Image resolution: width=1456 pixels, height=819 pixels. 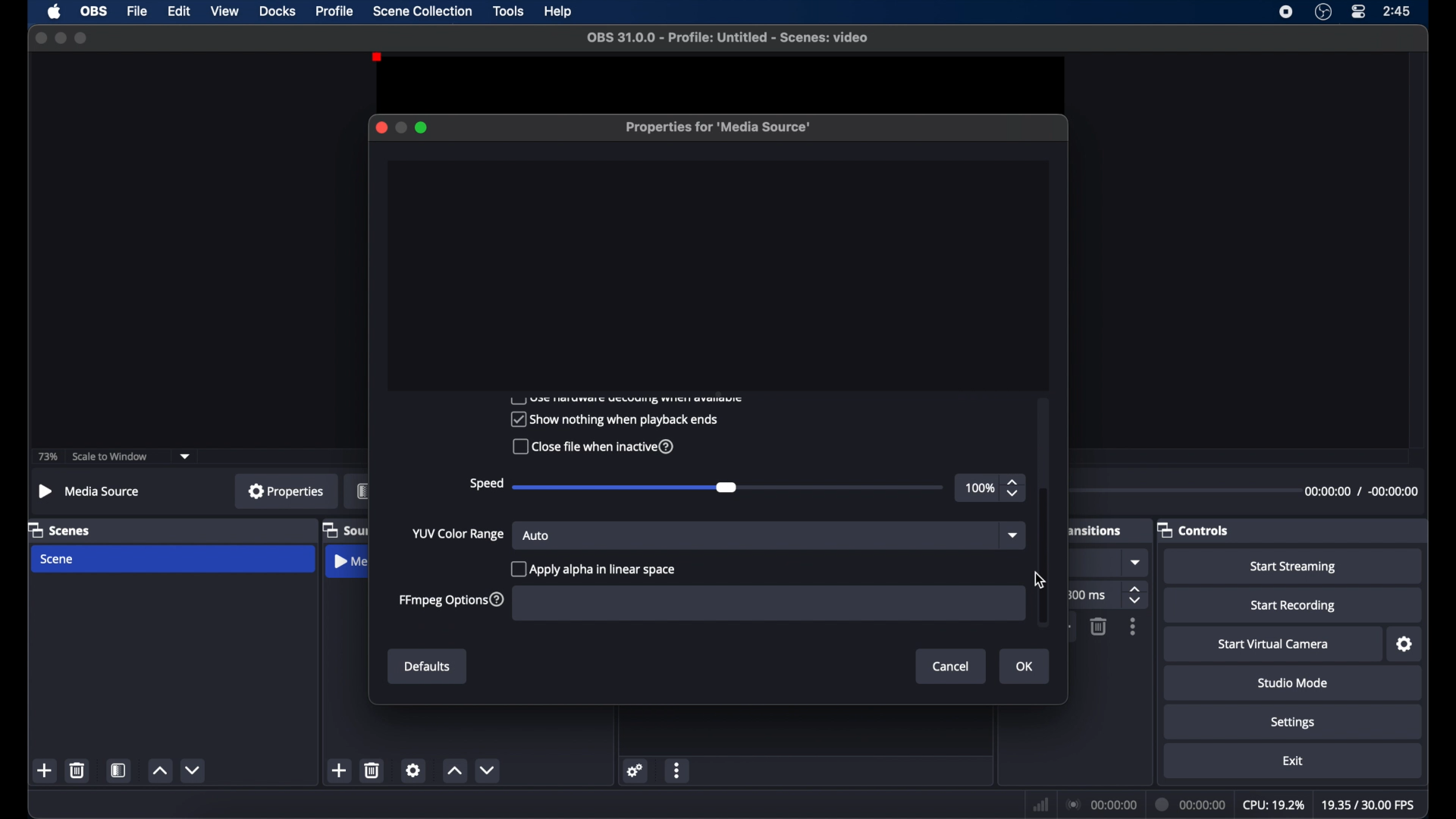 I want to click on edit, so click(x=179, y=11).